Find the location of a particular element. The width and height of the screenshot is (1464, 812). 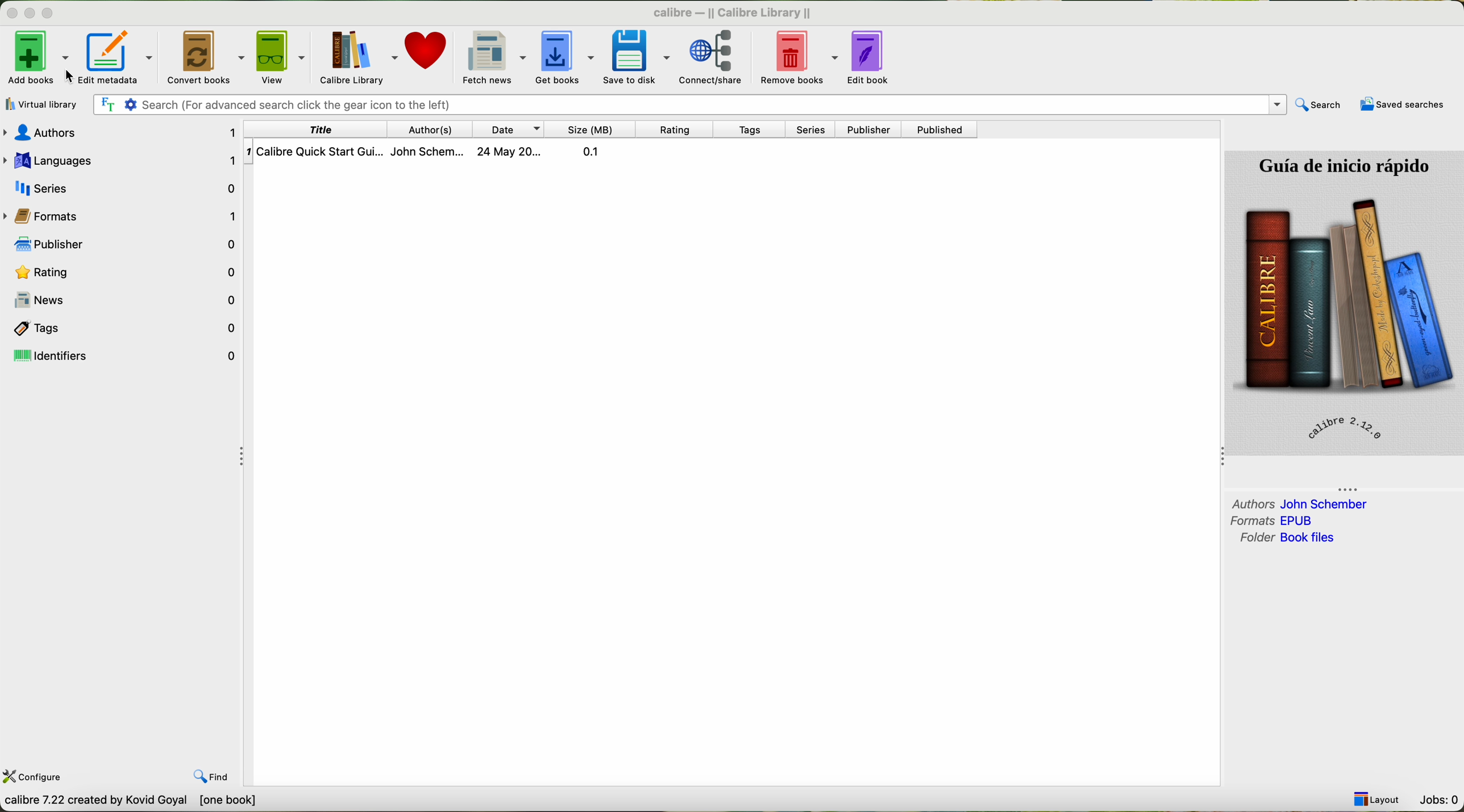

formats is located at coordinates (1275, 520).